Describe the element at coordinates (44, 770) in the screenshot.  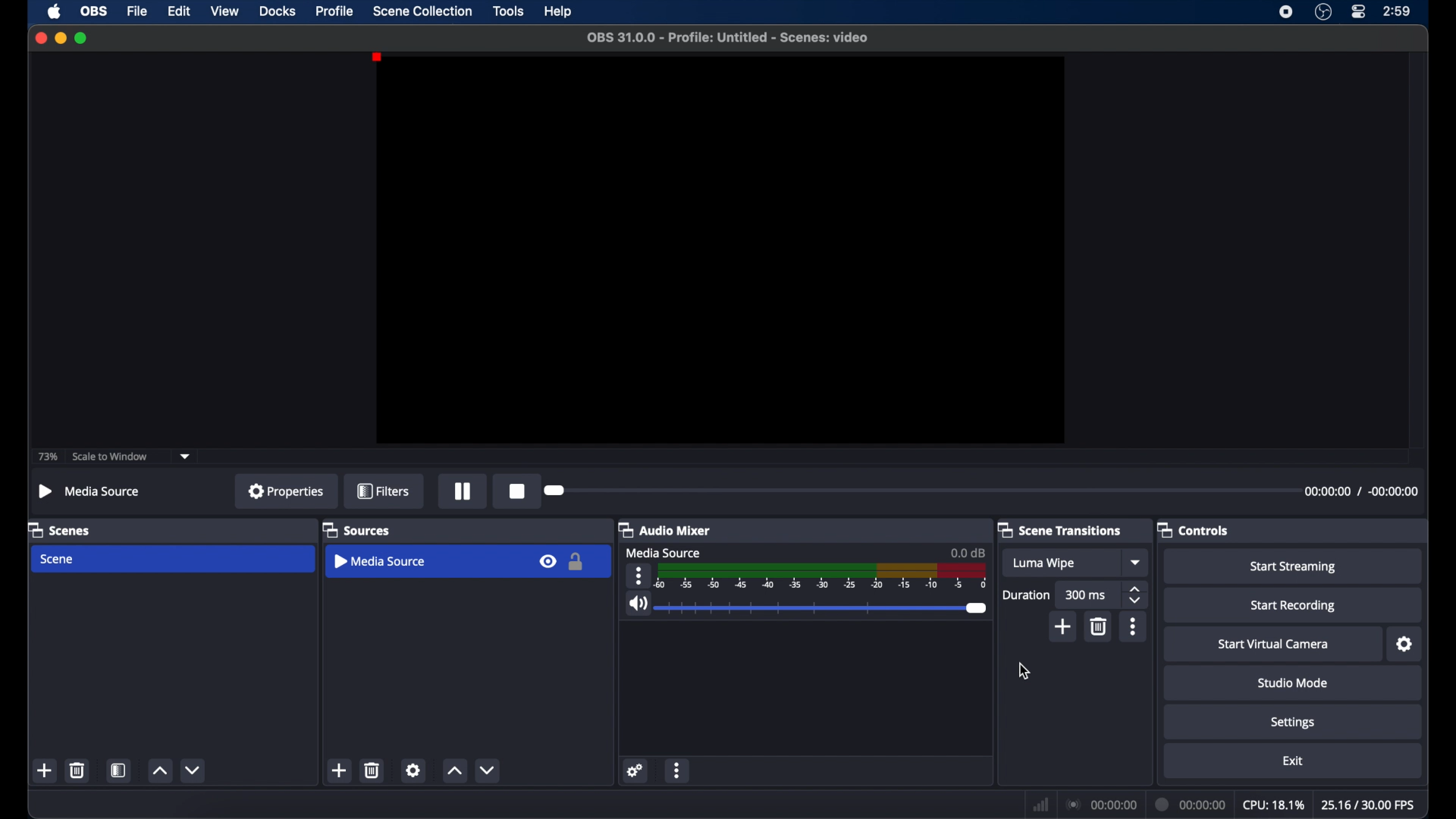
I see `add` at that location.